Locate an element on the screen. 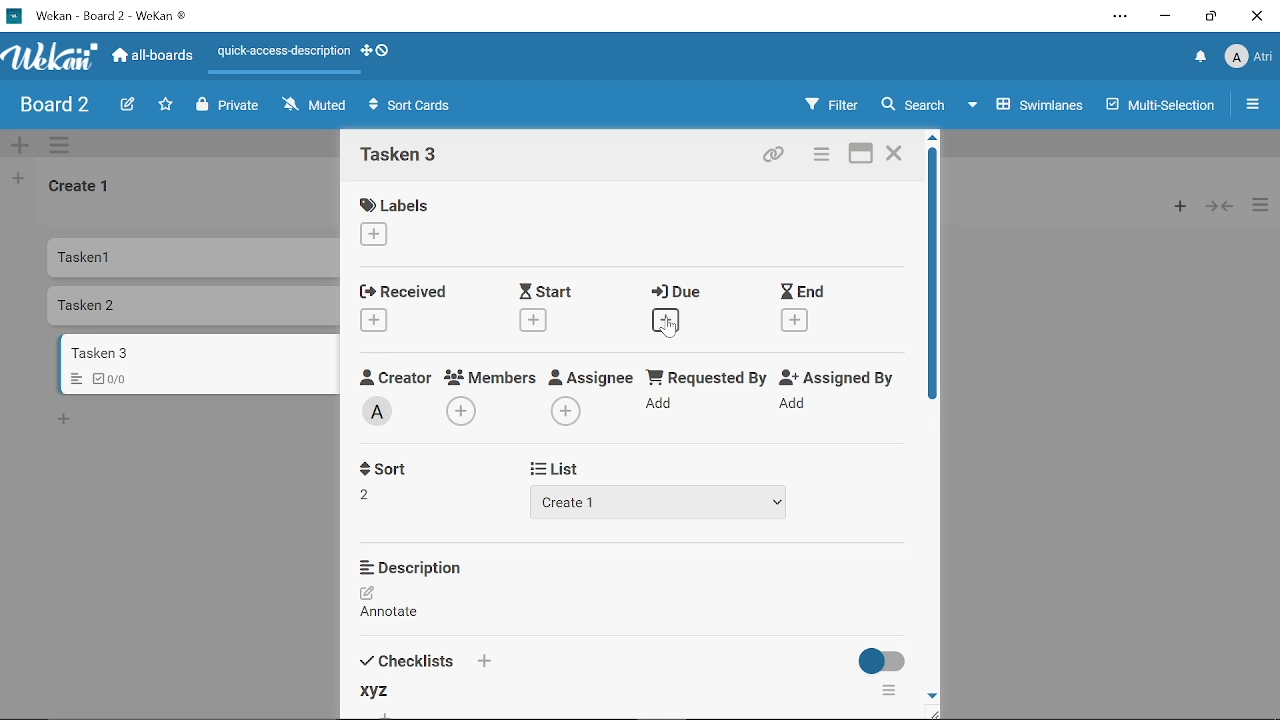  Minimize is located at coordinates (1166, 17).